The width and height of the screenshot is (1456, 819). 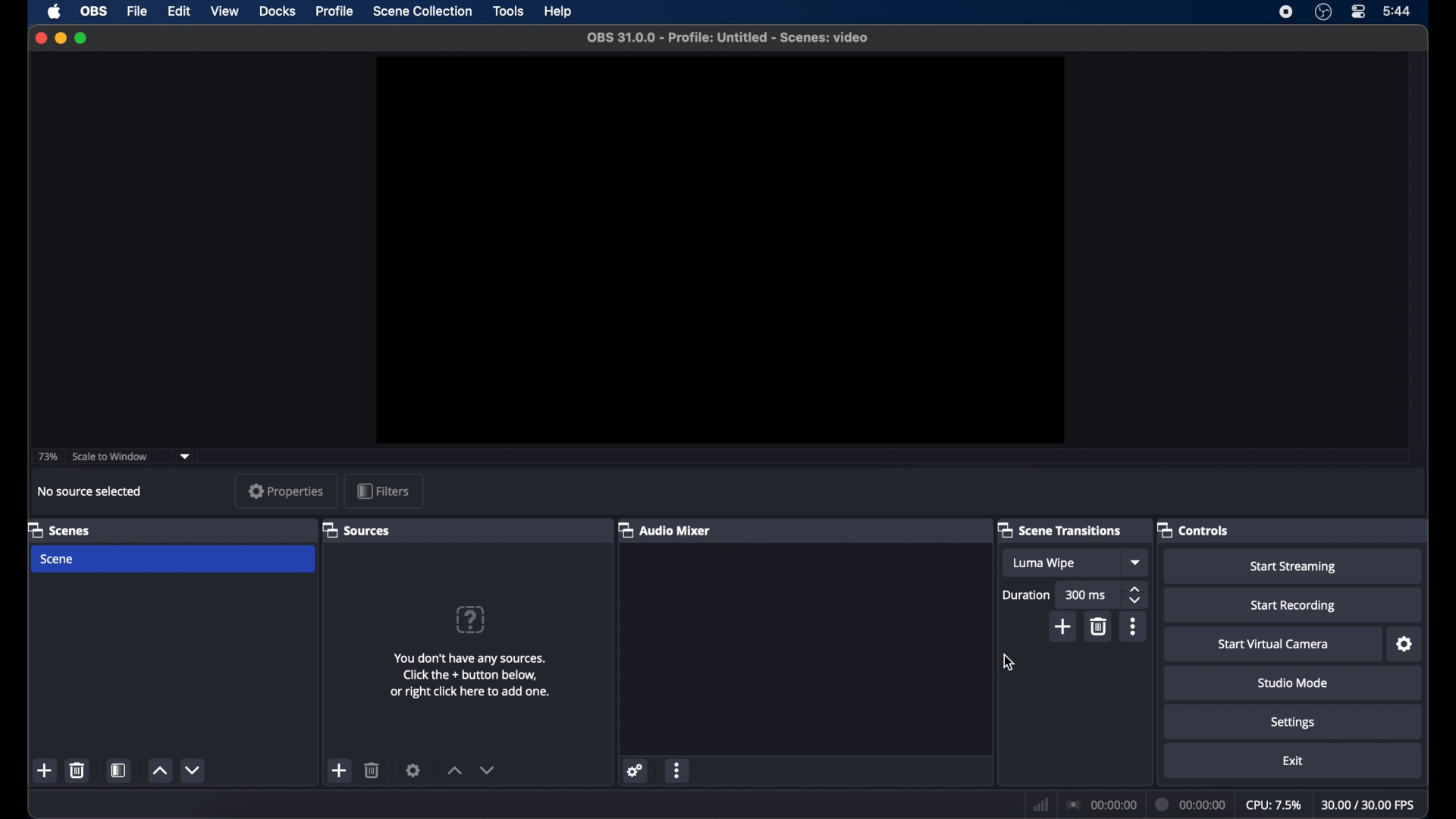 I want to click on 300 ms, so click(x=1087, y=595).